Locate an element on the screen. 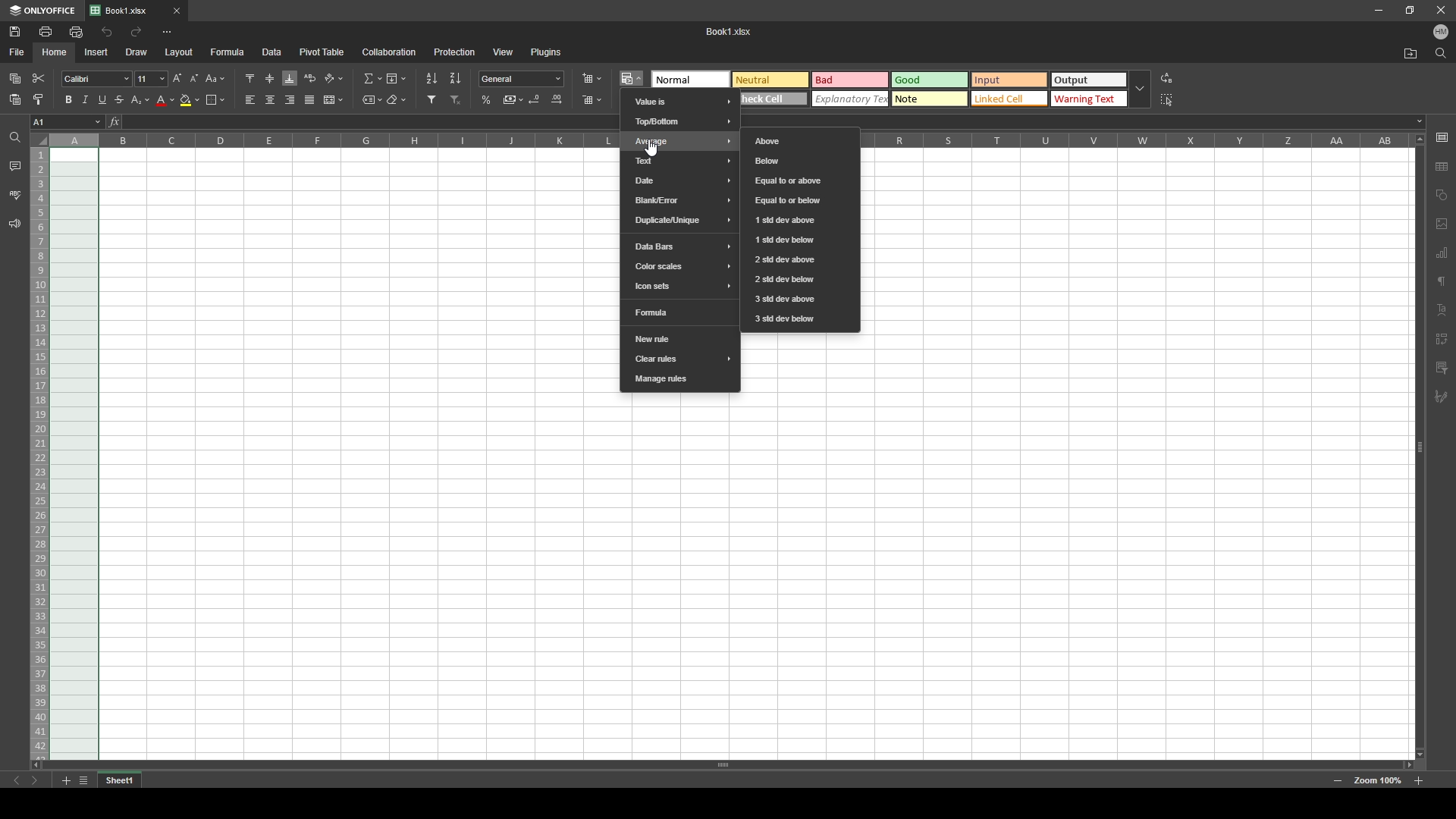  tab is located at coordinates (127, 11).